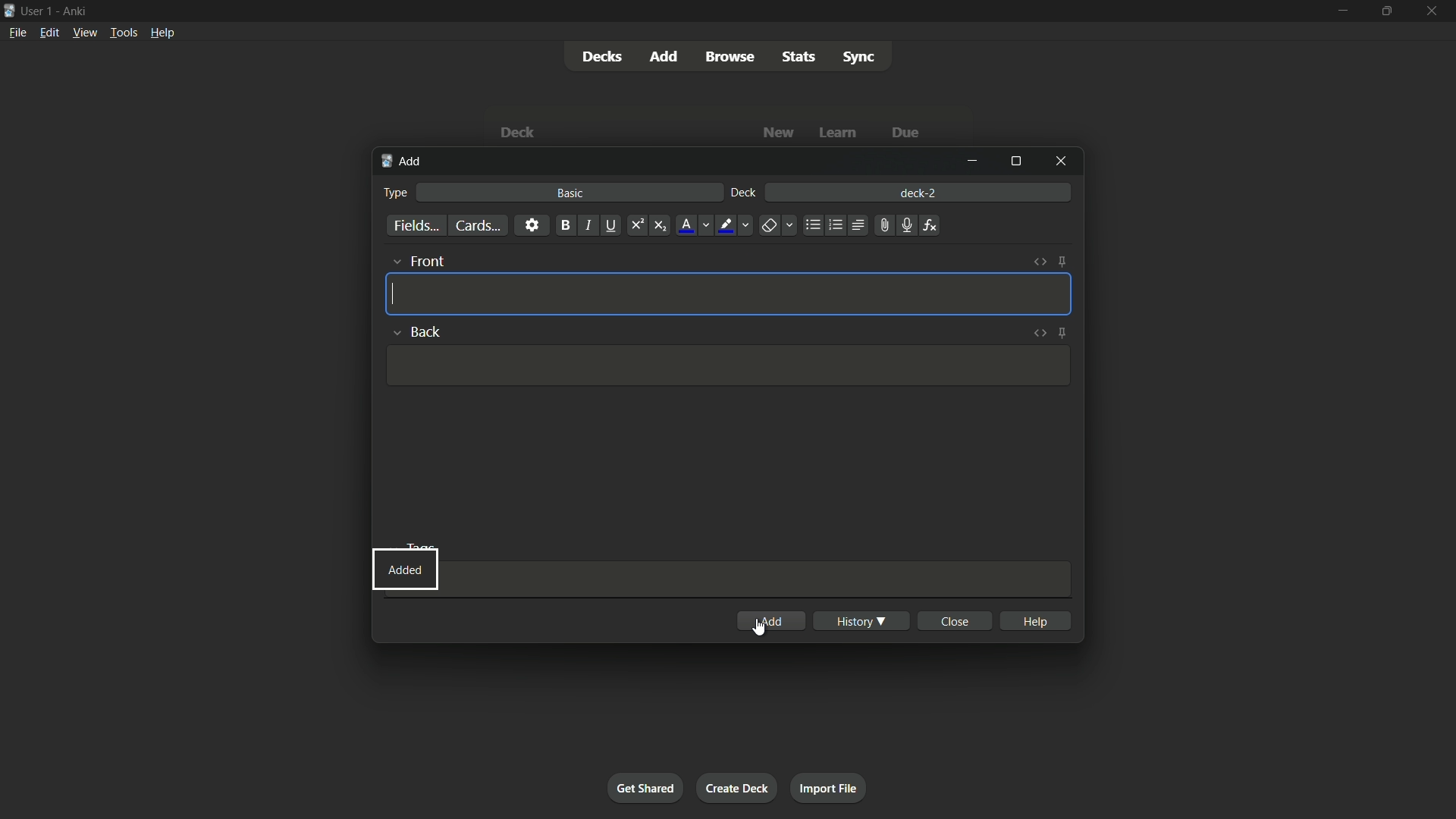  I want to click on deck, so click(745, 193).